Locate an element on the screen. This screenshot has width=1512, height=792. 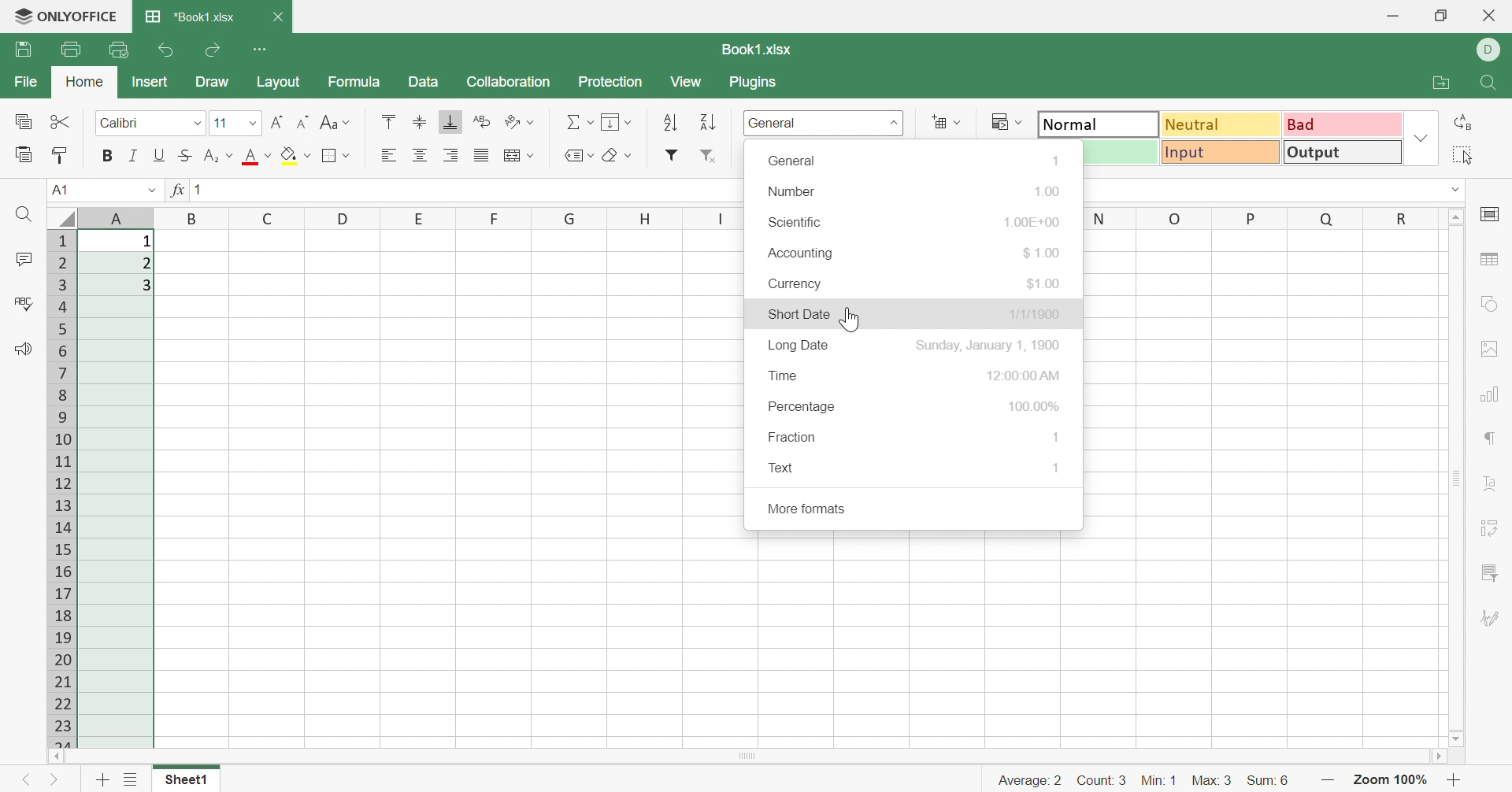
DELL is located at coordinates (1489, 51).